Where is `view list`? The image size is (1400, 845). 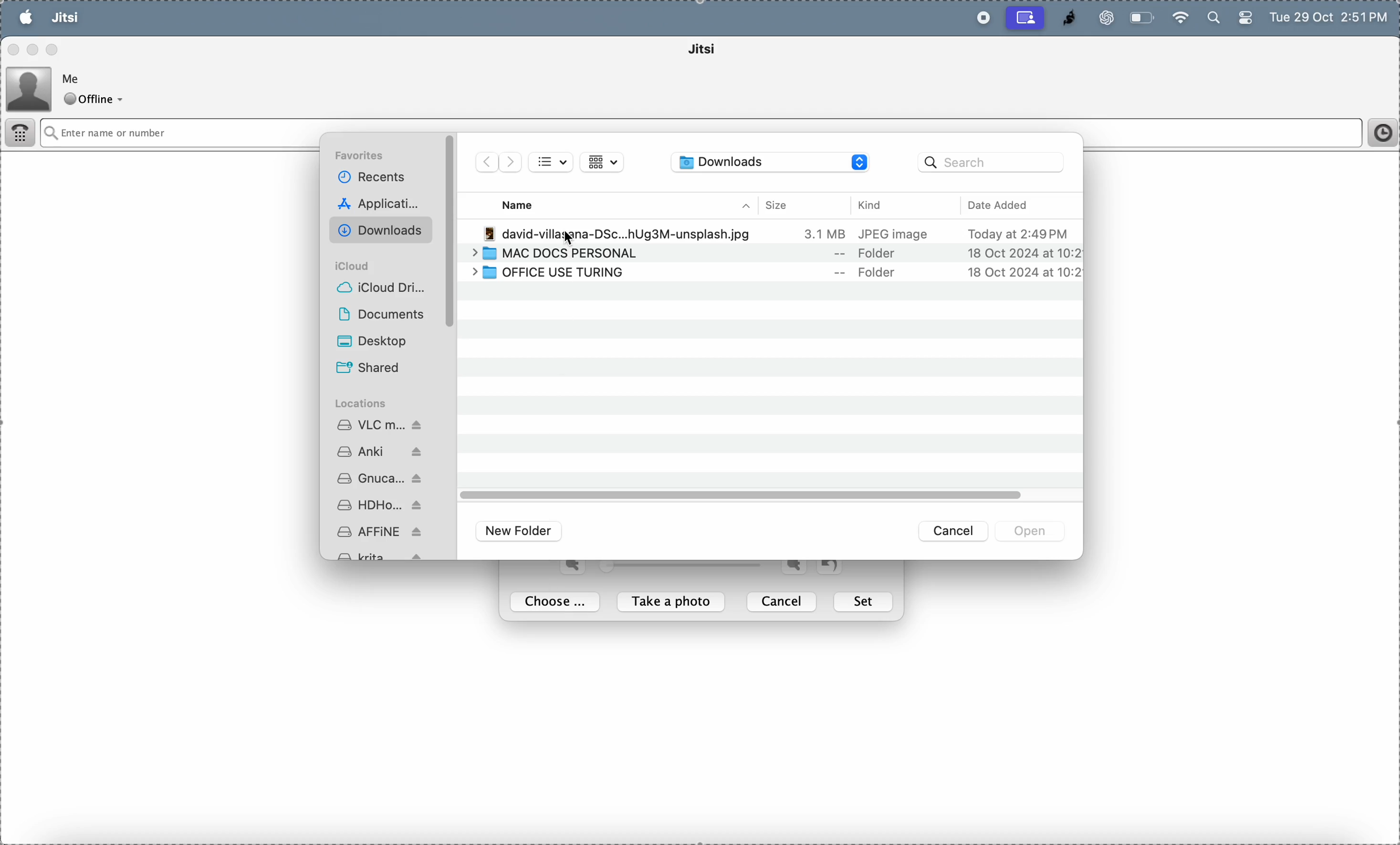 view list is located at coordinates (601, 162).